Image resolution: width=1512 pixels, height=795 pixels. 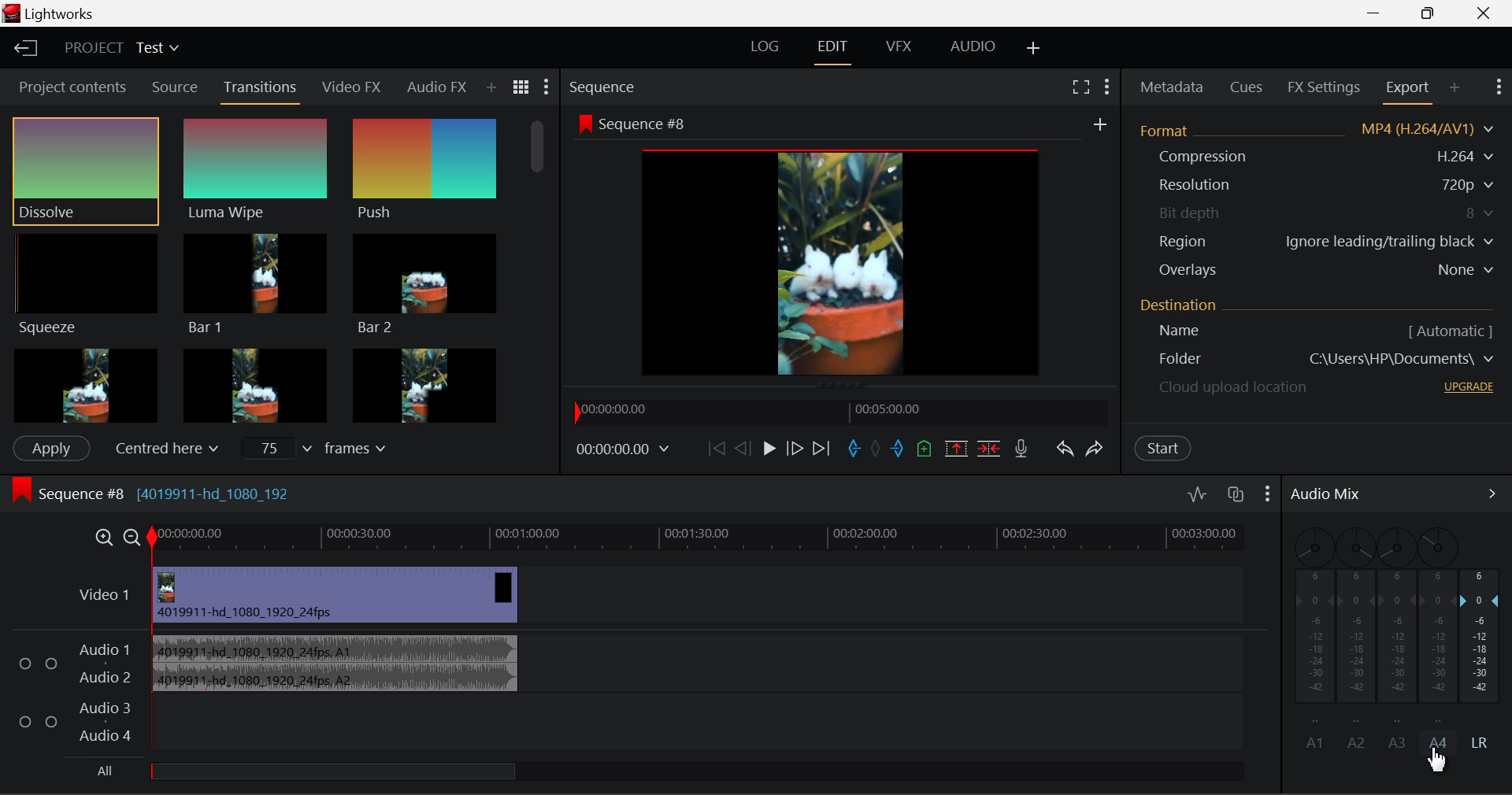 I want to click on Overlays, so click(x=1317, y=269).